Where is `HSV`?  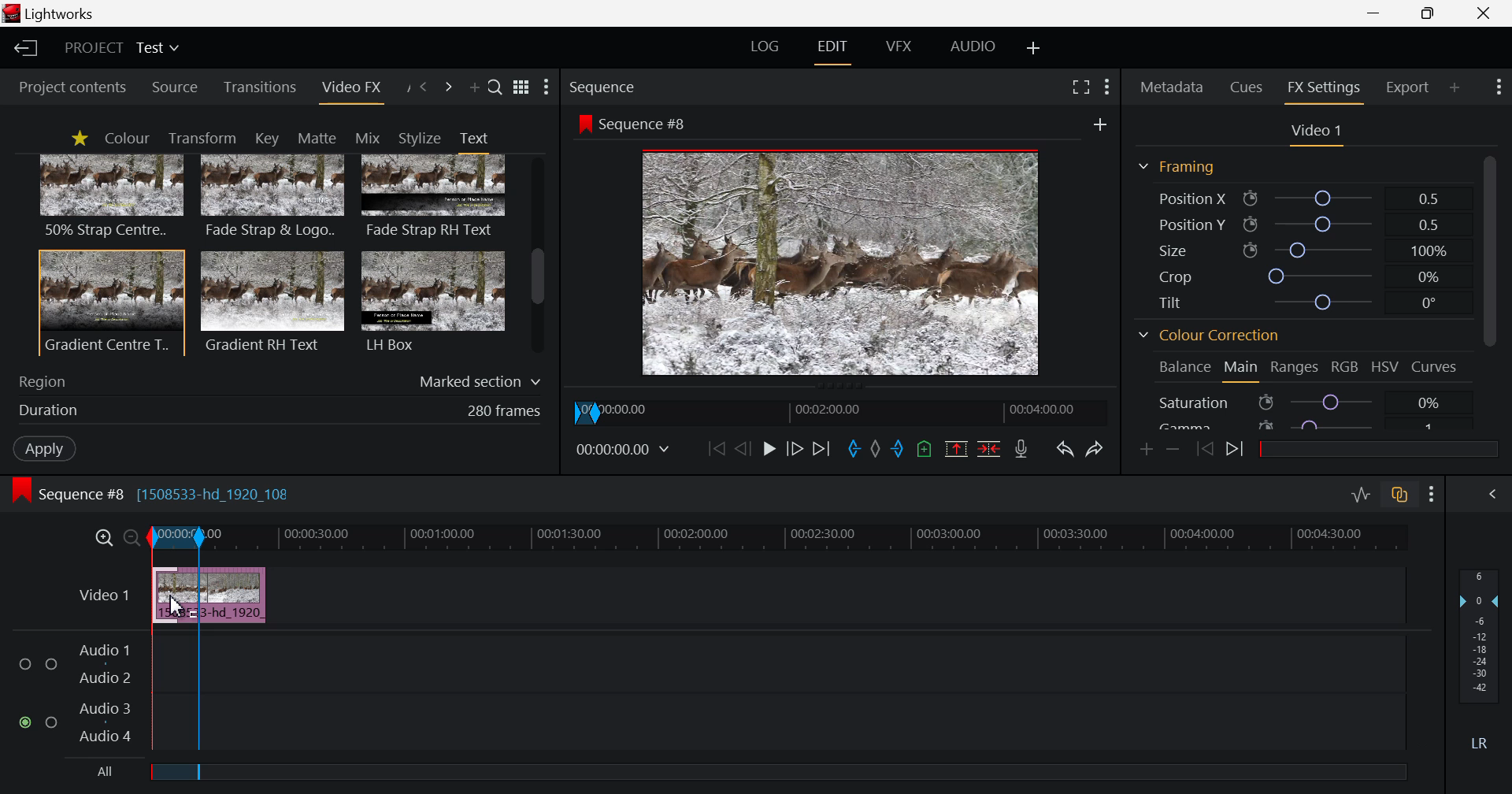
HSV is located at coordinates (1388, 368).